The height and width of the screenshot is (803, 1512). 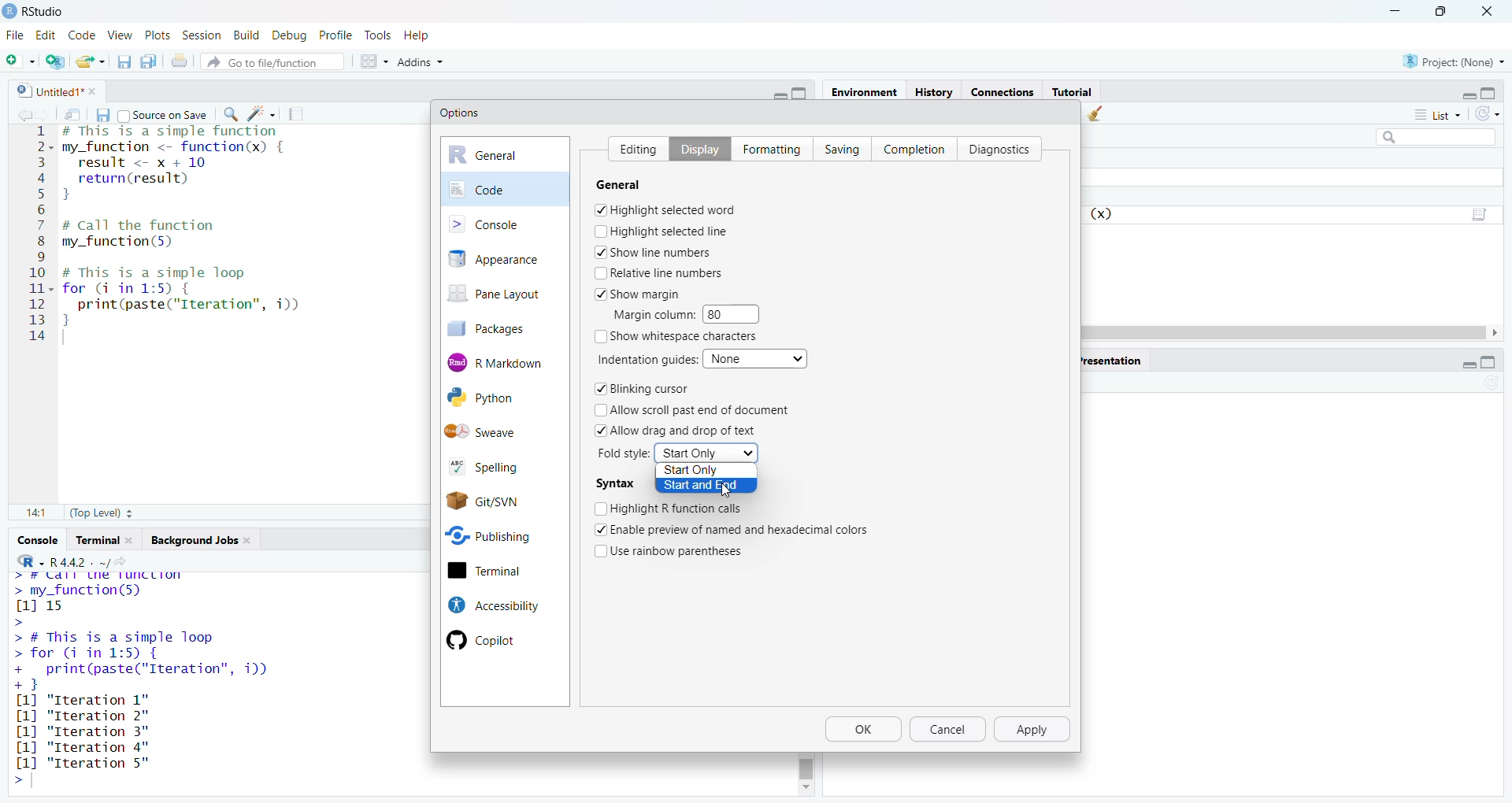 What do you see at coordinates (768, 147) in the screenshot?
I see `formatting` at bounding box center [768, 147].